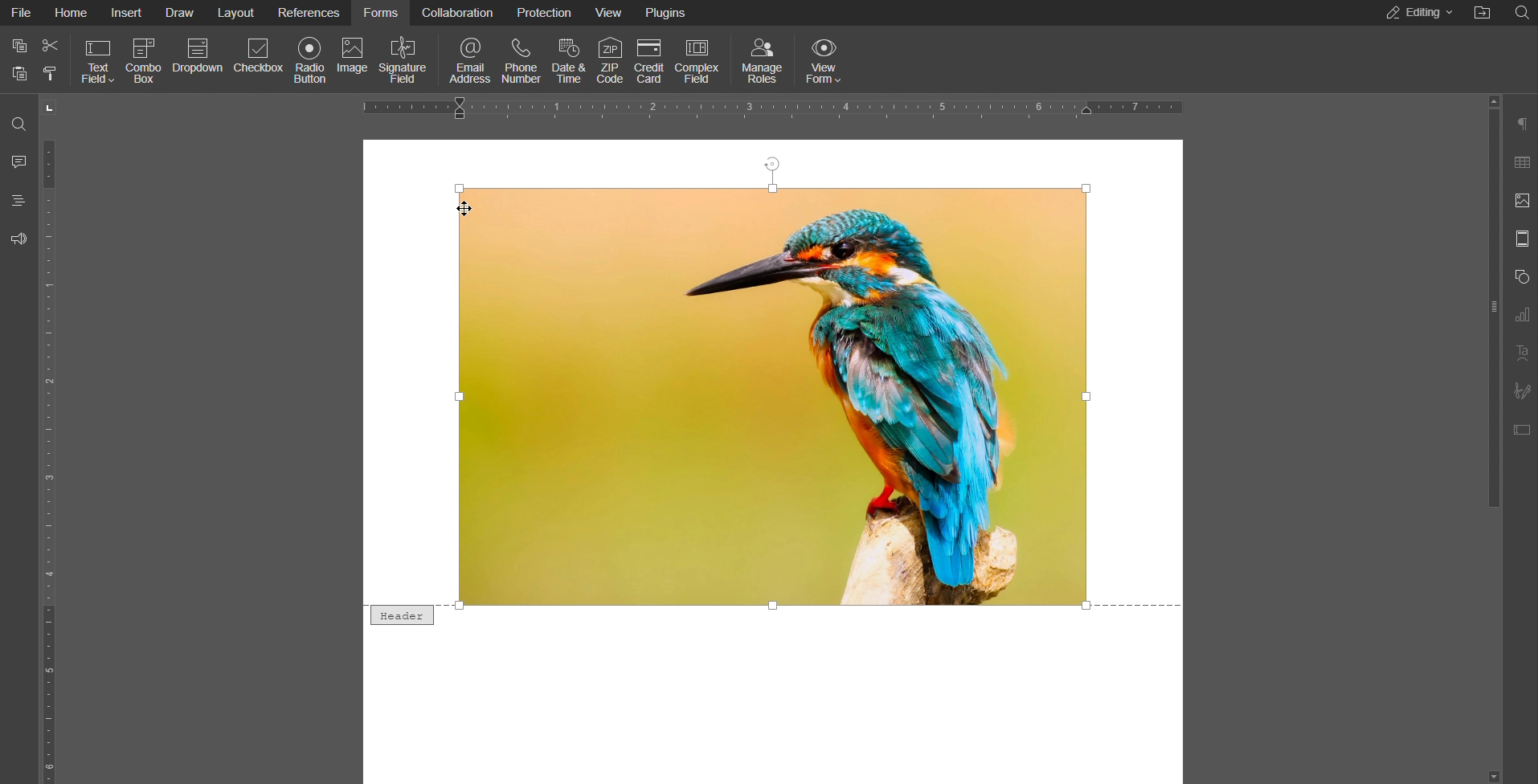  Describe the element at coordinates (1415, 14) in the screenshot. I see `Editing` at that location.